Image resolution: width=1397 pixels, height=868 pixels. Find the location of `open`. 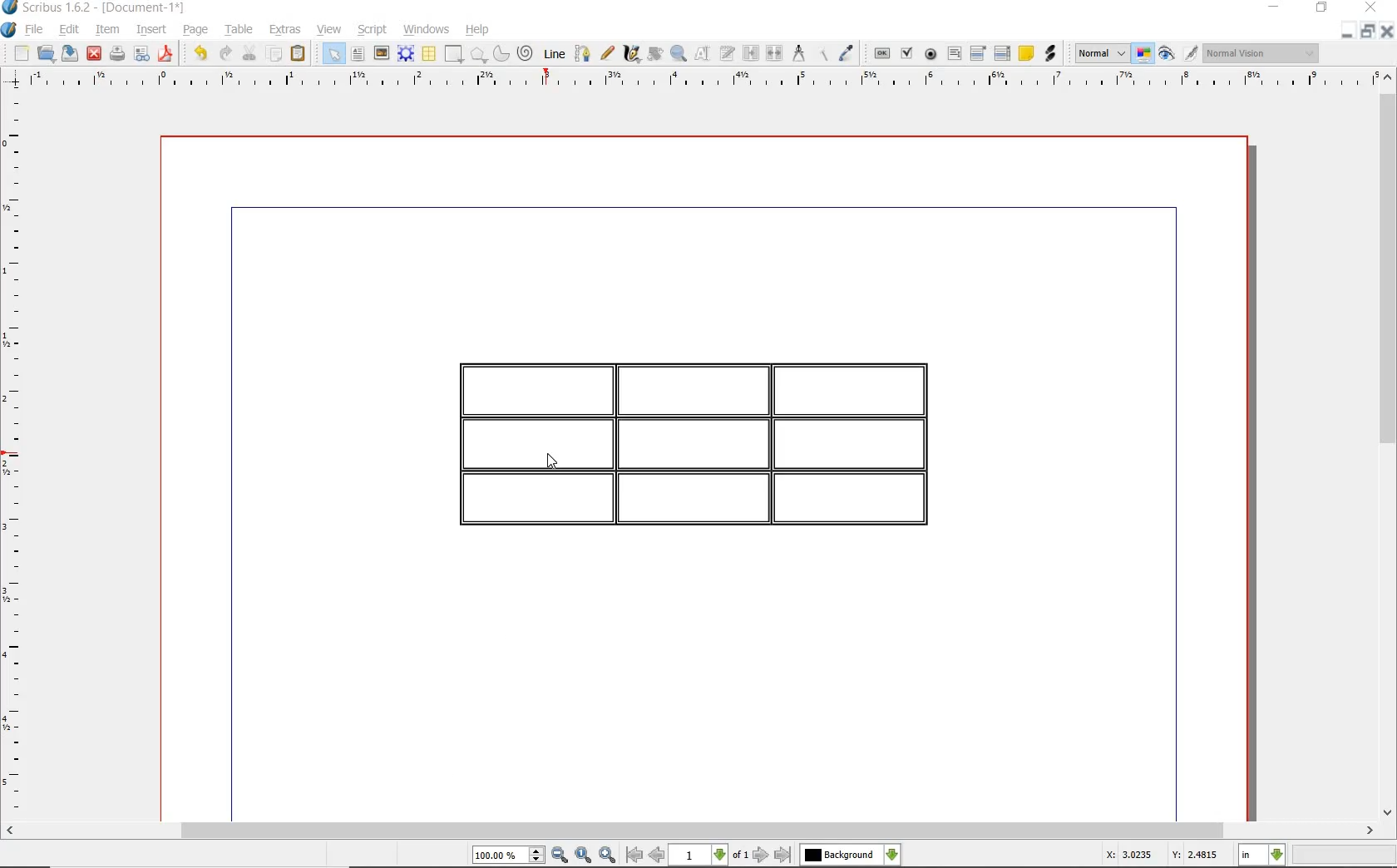

open is located at coordinates (44, 52).